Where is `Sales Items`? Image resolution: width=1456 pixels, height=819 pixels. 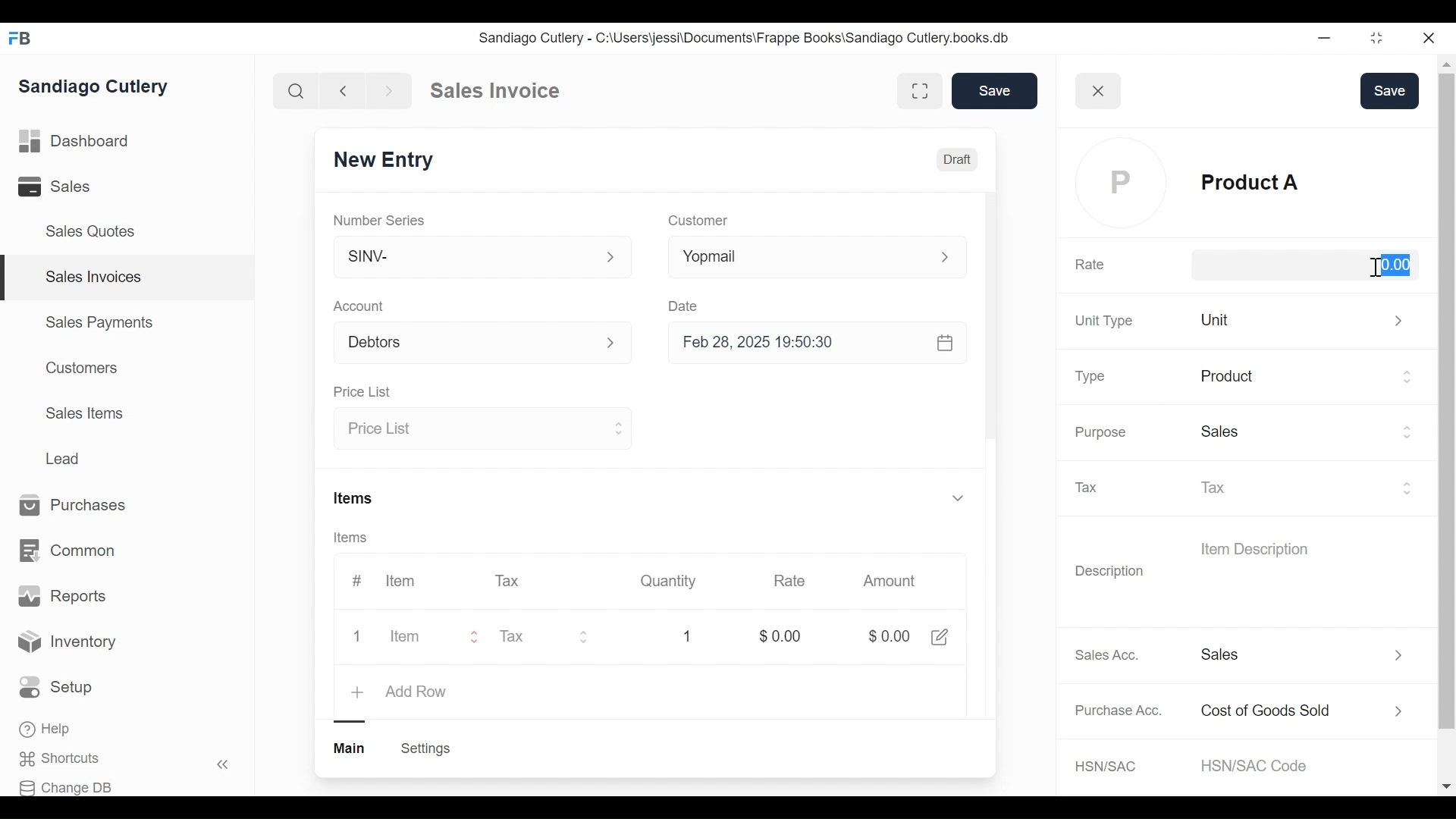 Sales Items is located at coordinates (84, 412).